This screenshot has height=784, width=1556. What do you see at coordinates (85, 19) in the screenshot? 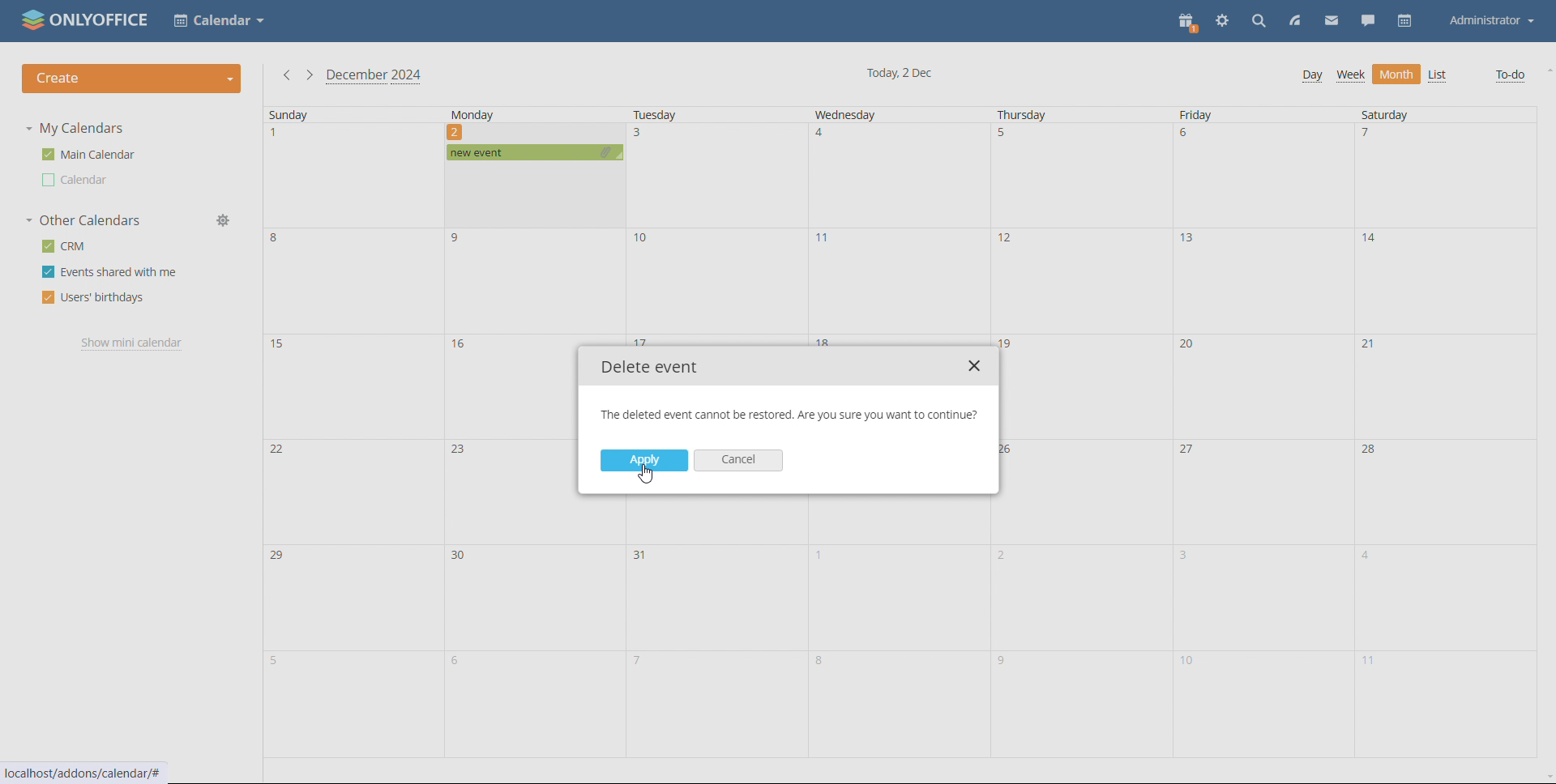
I see `ONLYOFFICE` at bounding box center [85, 19].